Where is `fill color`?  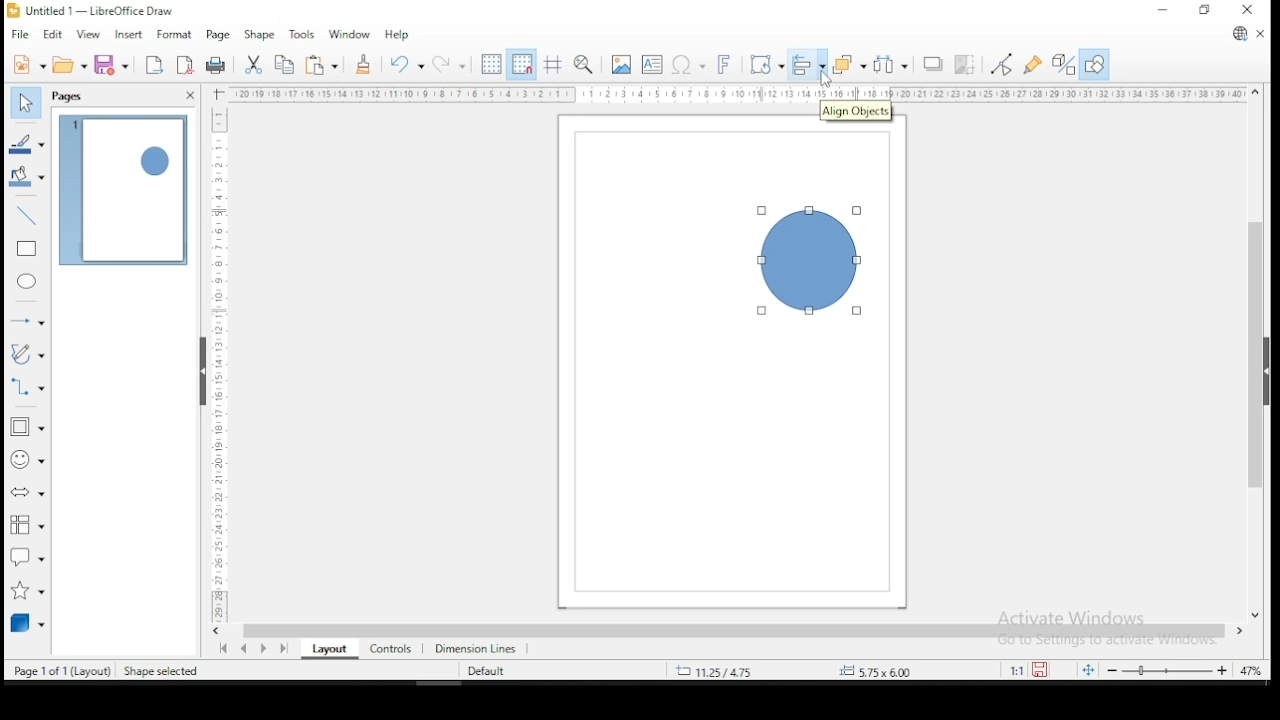 fill color is located at coordinates (28, 176).